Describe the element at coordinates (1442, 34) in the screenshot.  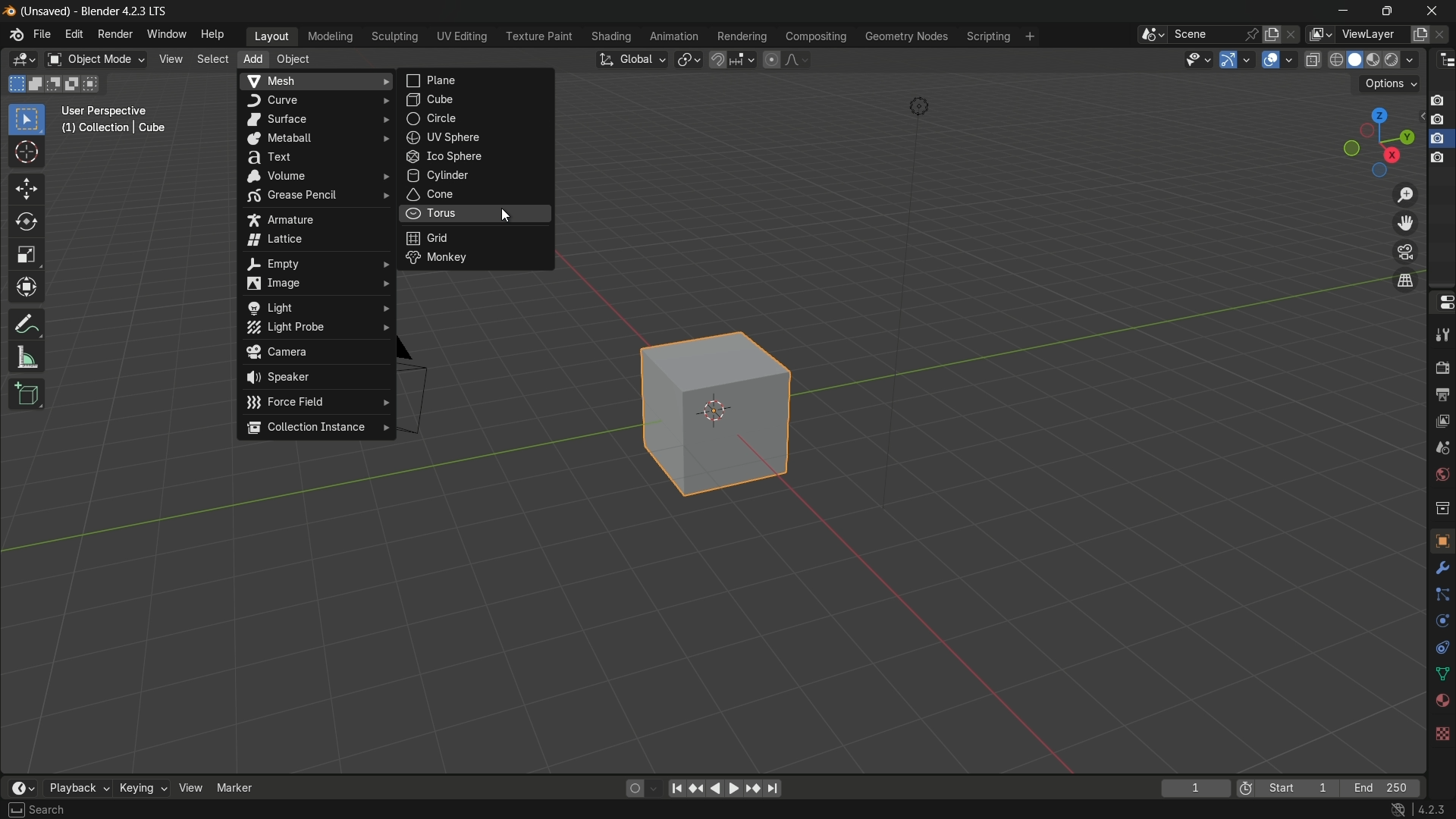
I see `remove layer` at that location.